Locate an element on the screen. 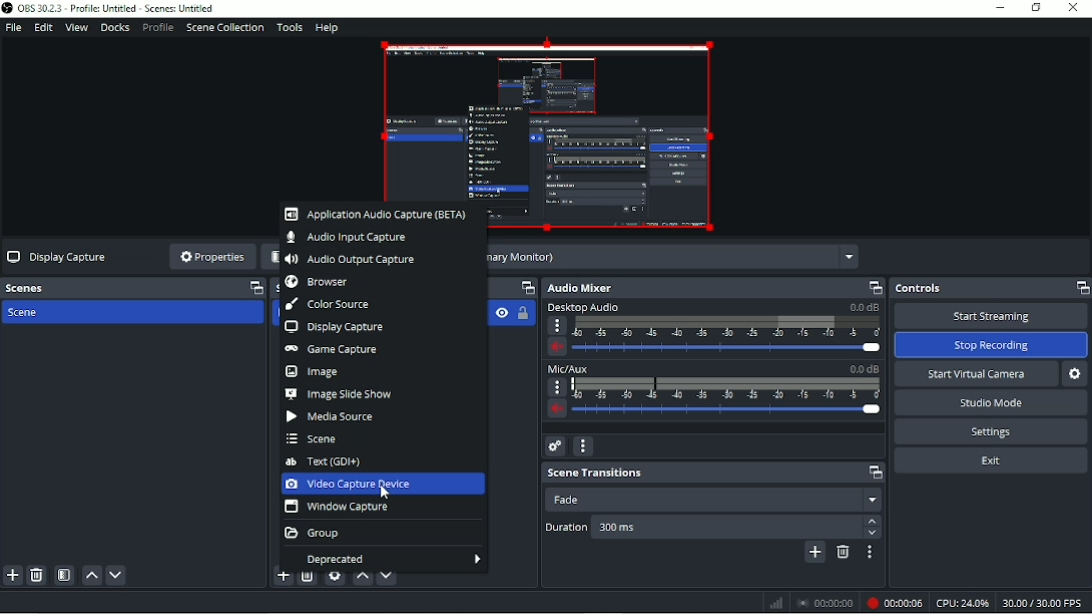 This screenshot has width=1092, height=614. Start streaming is located at coordinates (991, 314).